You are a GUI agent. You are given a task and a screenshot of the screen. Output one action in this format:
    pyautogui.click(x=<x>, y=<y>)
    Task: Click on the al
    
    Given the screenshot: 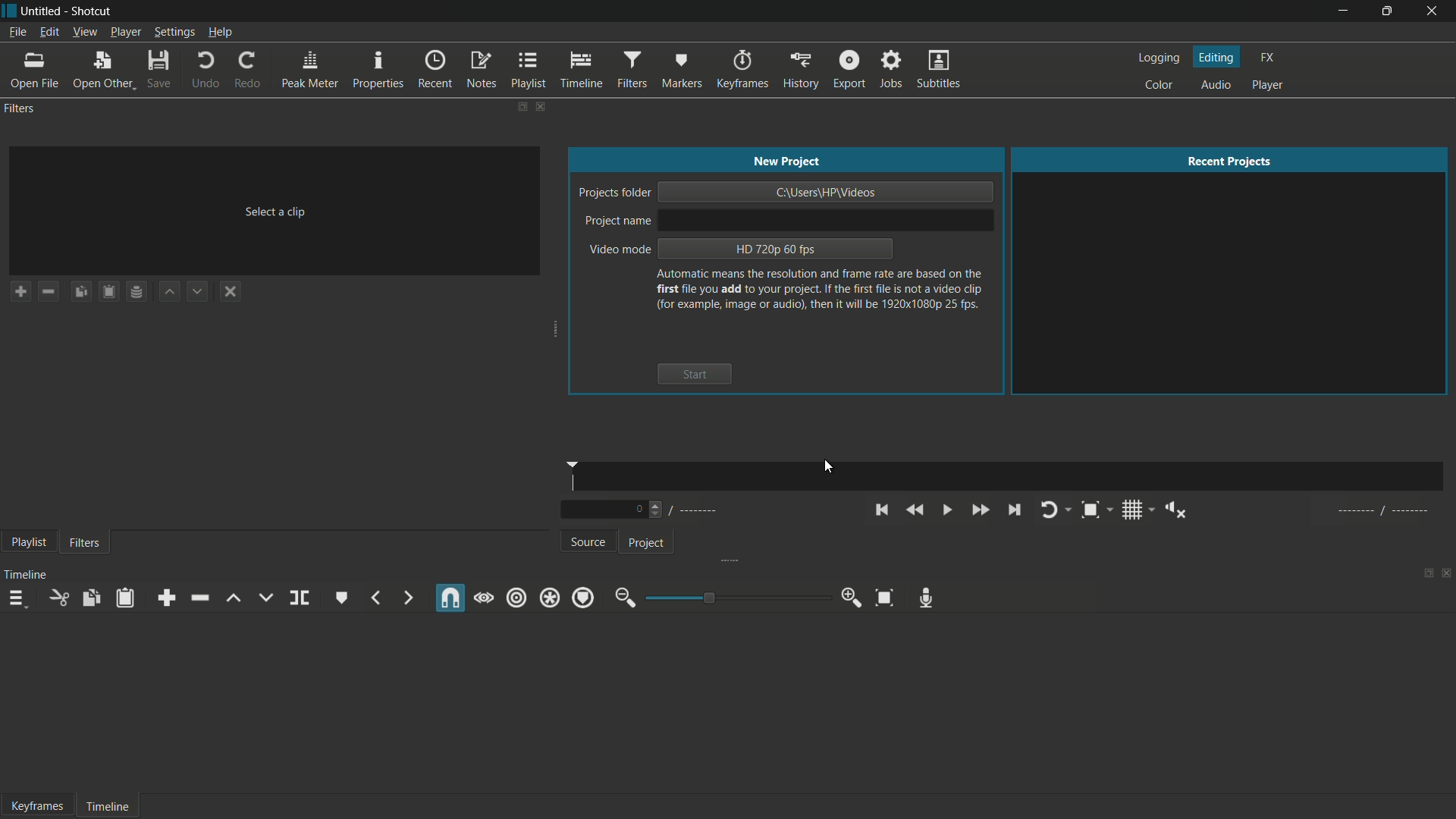 What is the action you would take?
    pyautogui.click(x=1386, y=513)
    